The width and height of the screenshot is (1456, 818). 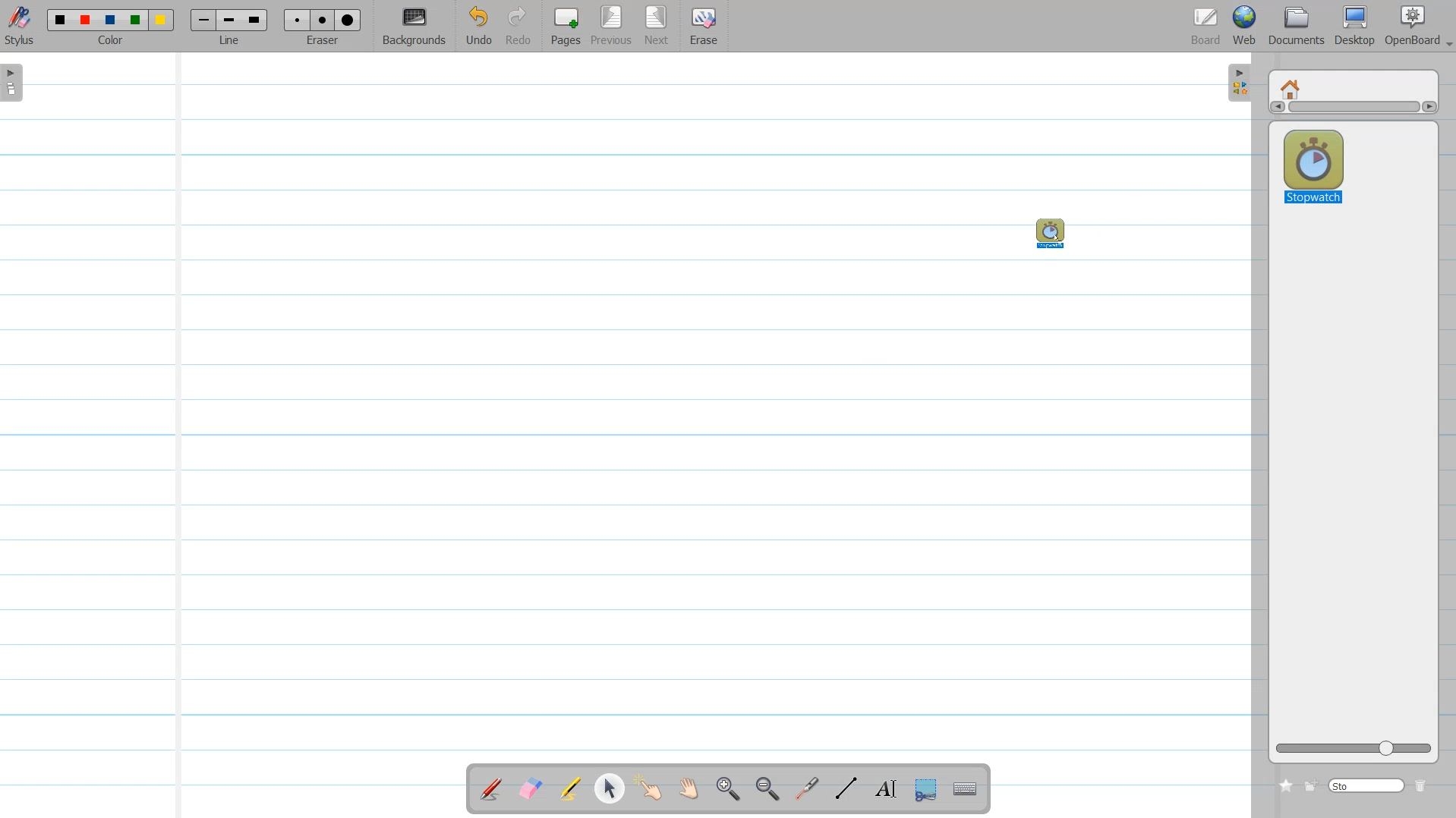 What do you see at coordinates (229, 27) in the screenshot?
I see `Line` at bounding box center [229, 27].